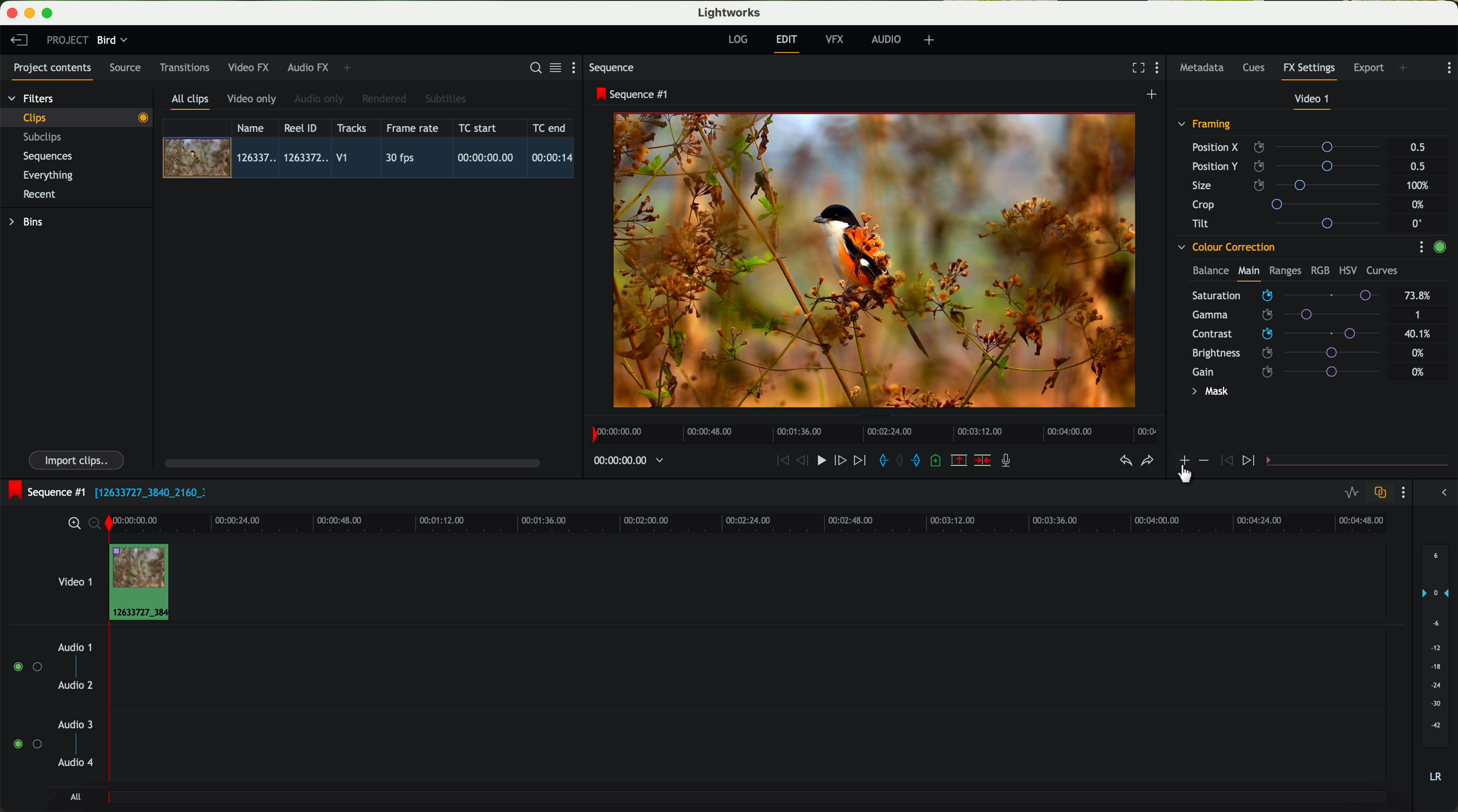  Describe the element at coordinates (1351, 494) in the screenshot. I see `toggle audio levels editing` at that location.